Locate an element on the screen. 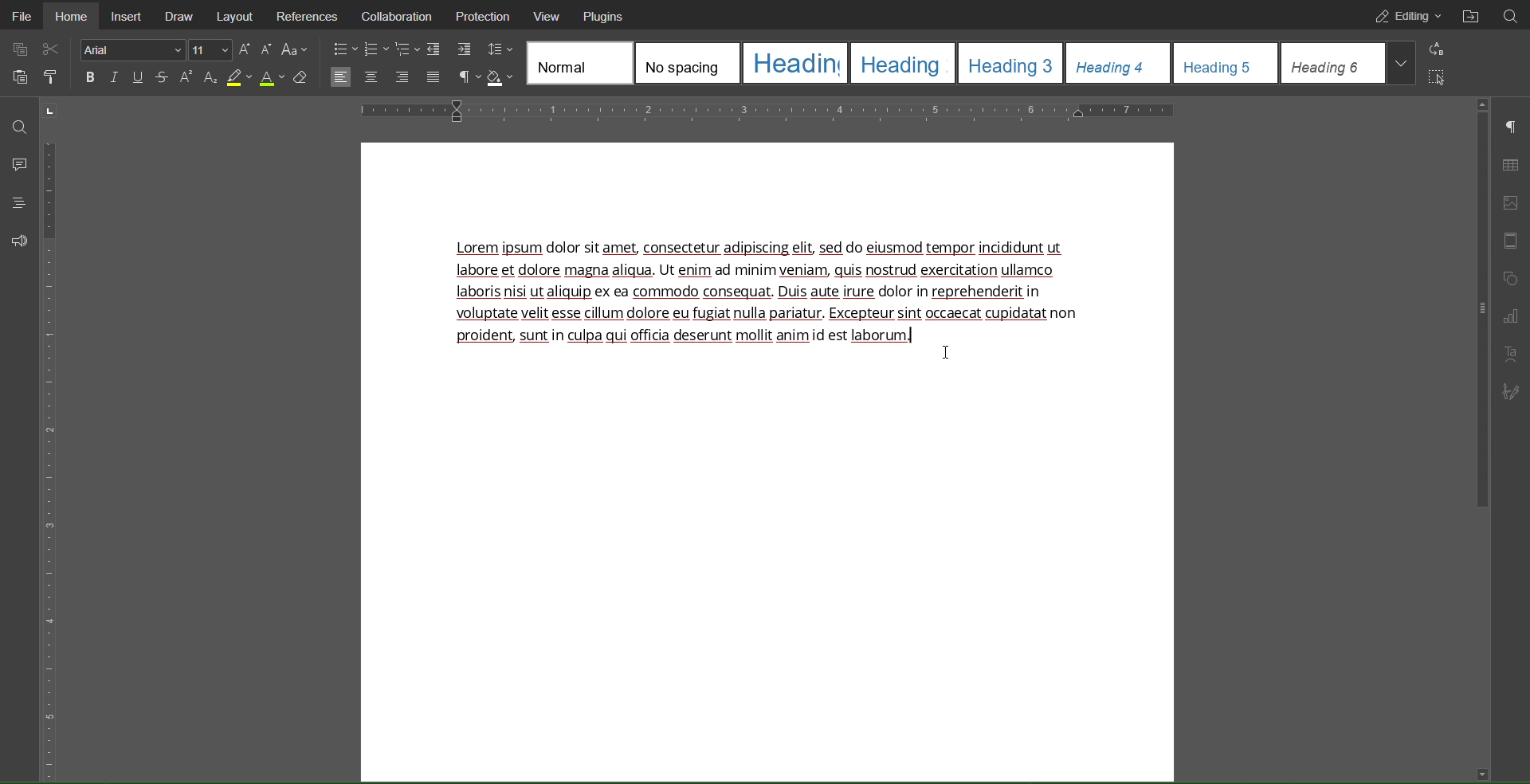 The image size is (1530, 784). Heading 4 is located at coordinates (1116, 63).